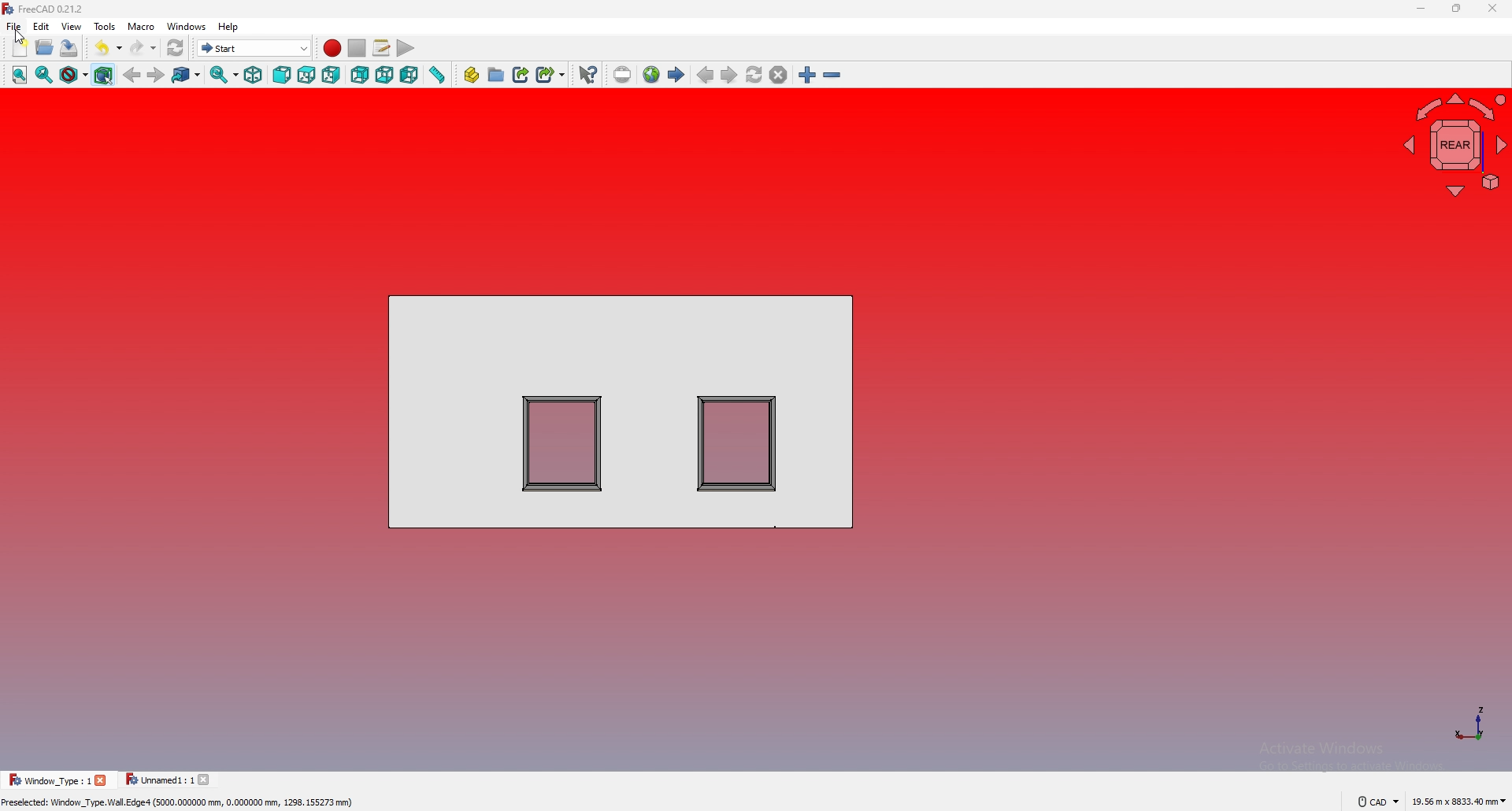 The image size is (1512, 811). What do you see at coordinates (754, 76) in the screenshot?
I see `refresh web page` at bounding box center [754, 76].